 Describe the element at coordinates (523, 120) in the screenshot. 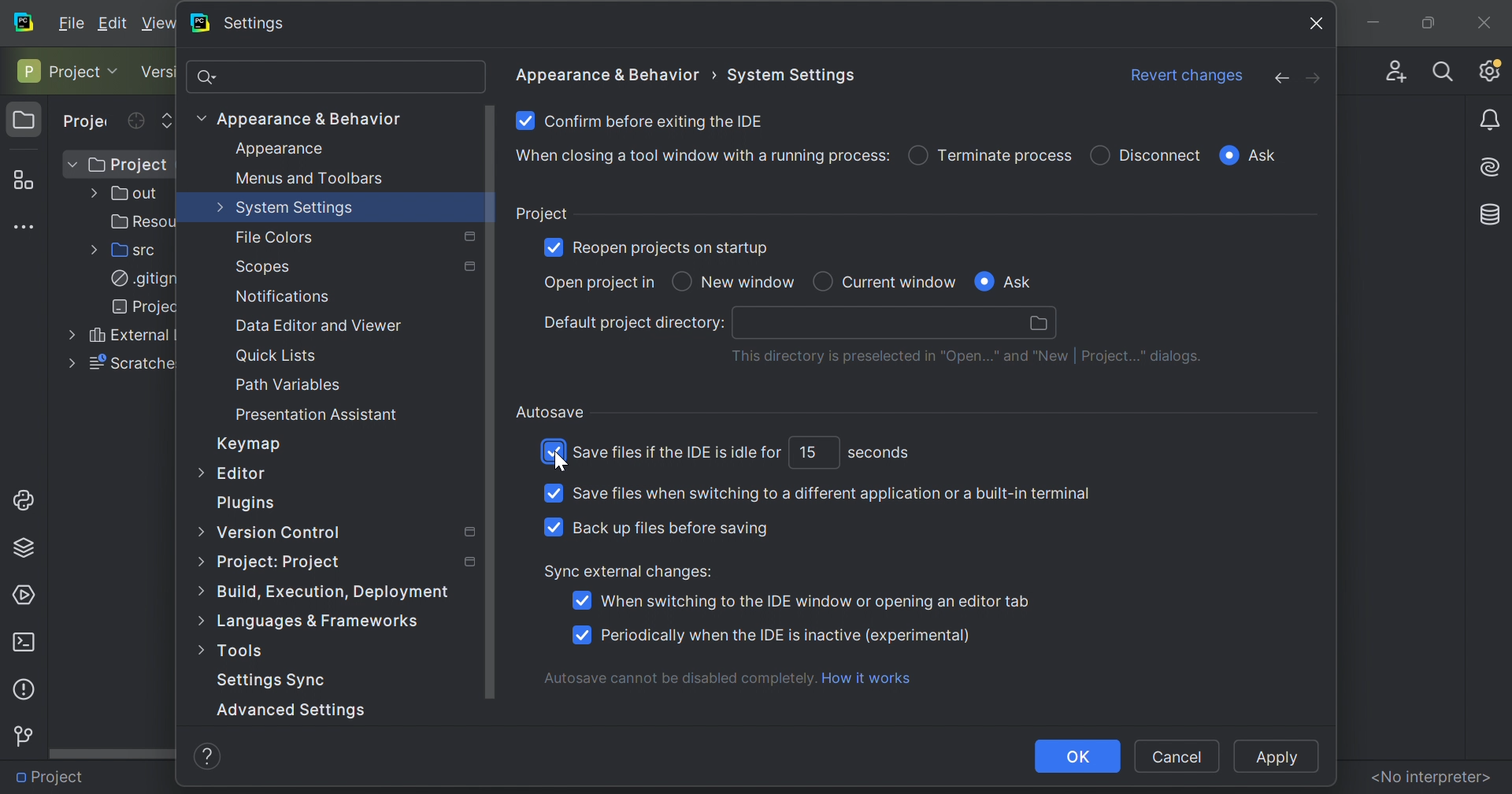

I see `Checkbox` at that location.